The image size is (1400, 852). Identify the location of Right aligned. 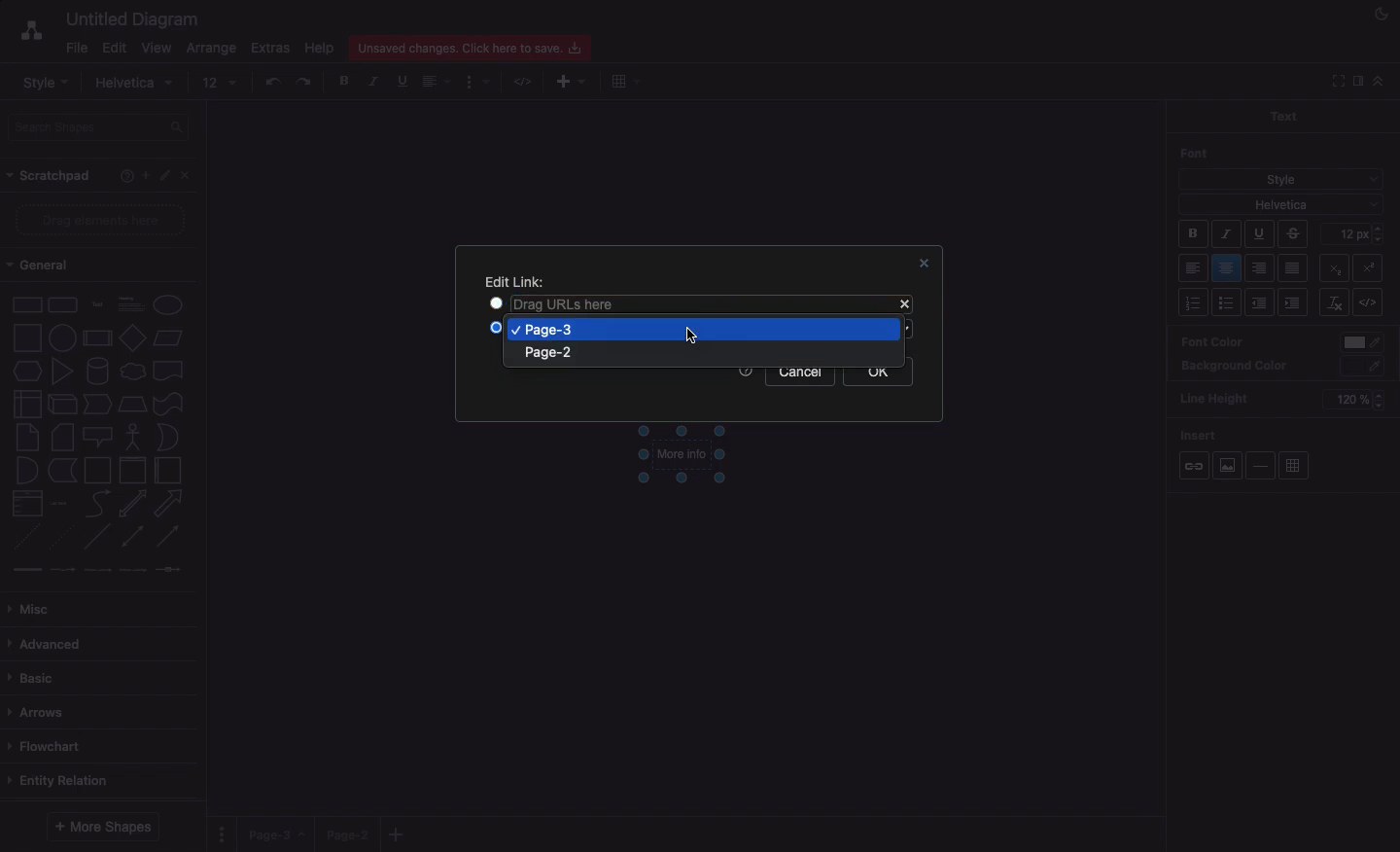
(1260, 269).